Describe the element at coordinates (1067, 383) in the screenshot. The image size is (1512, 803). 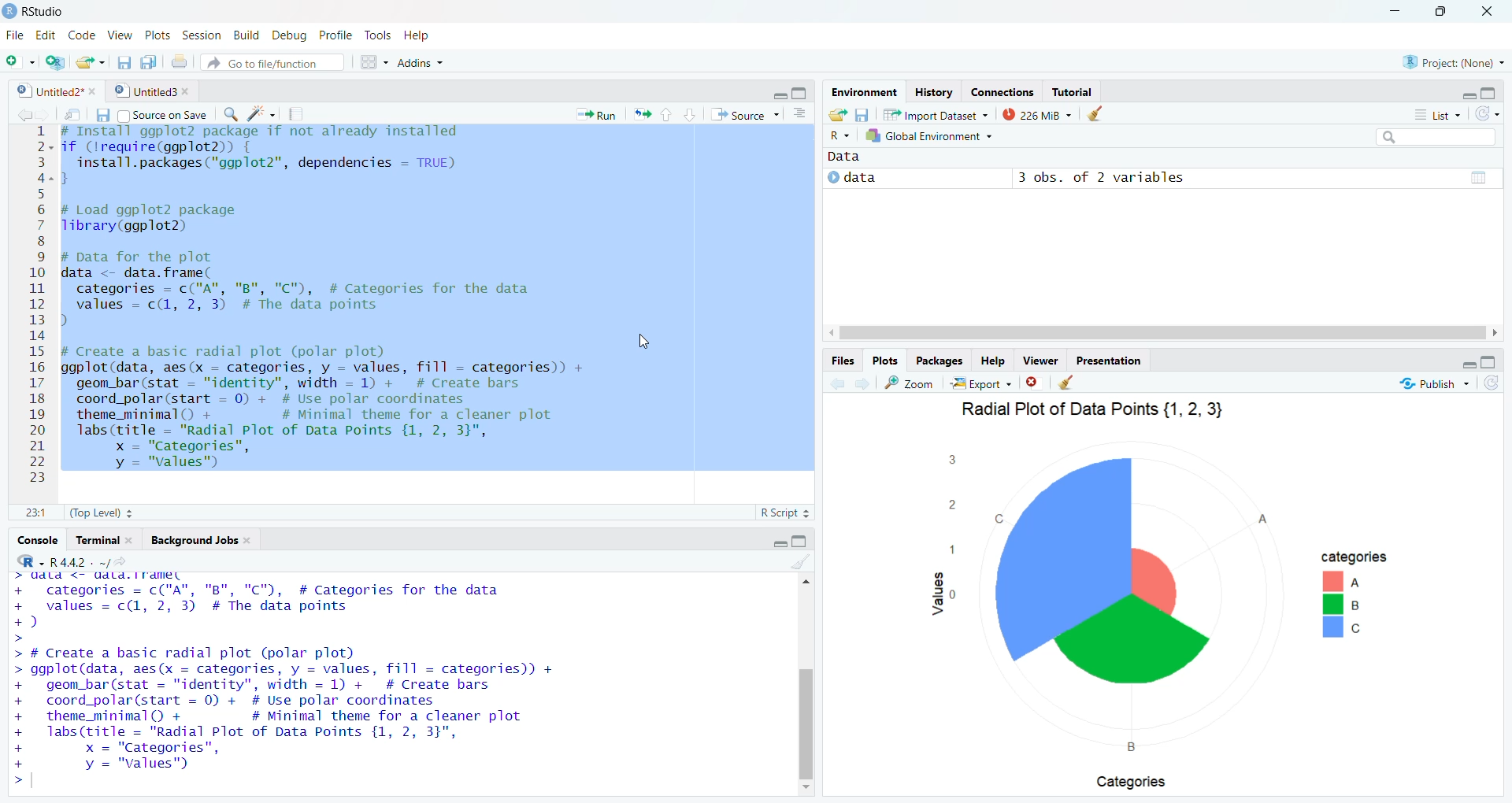
I see `cleaner` at that location.